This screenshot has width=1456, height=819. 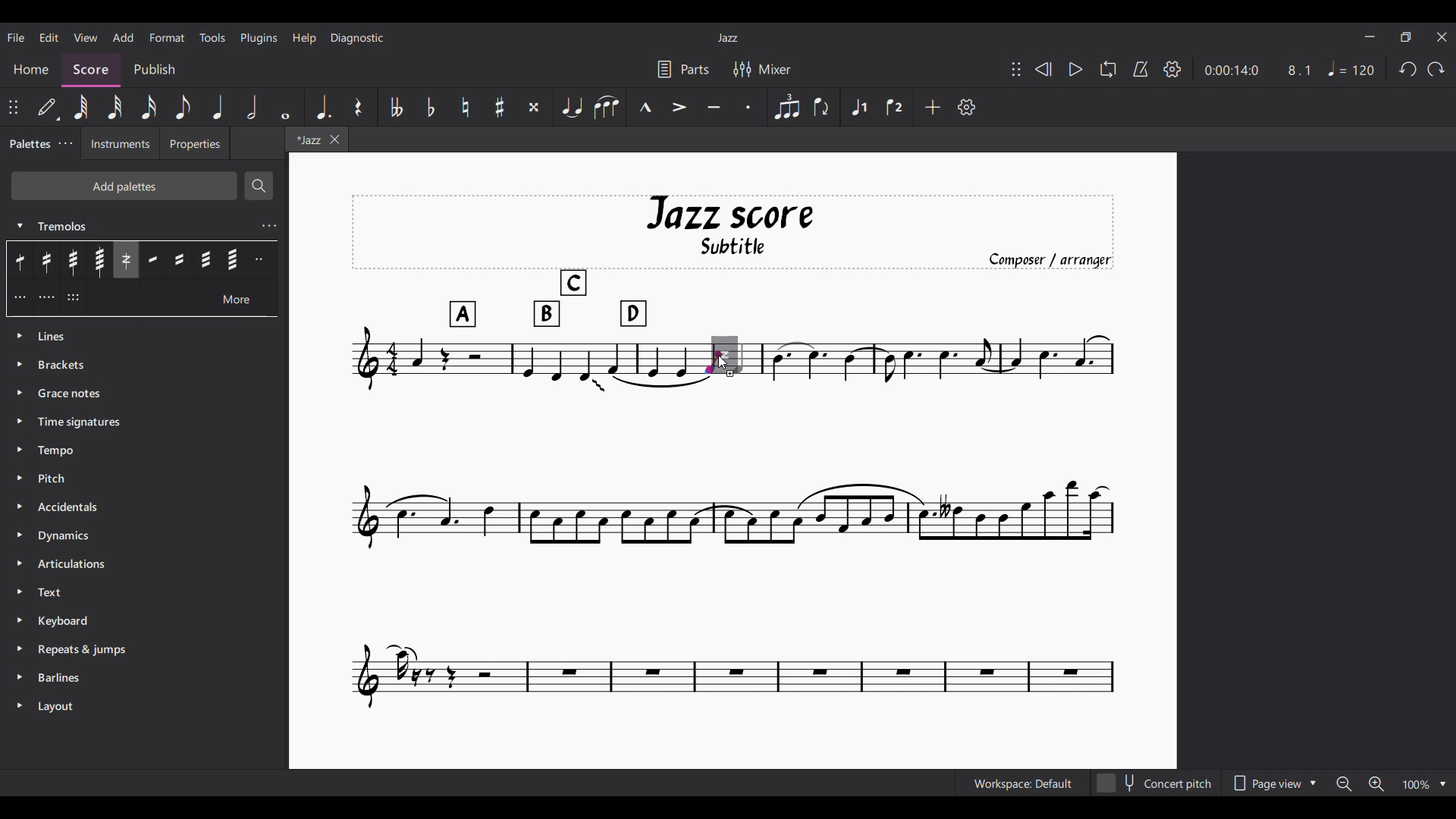 I want to click on Time signature, so click(x=143, y=422).